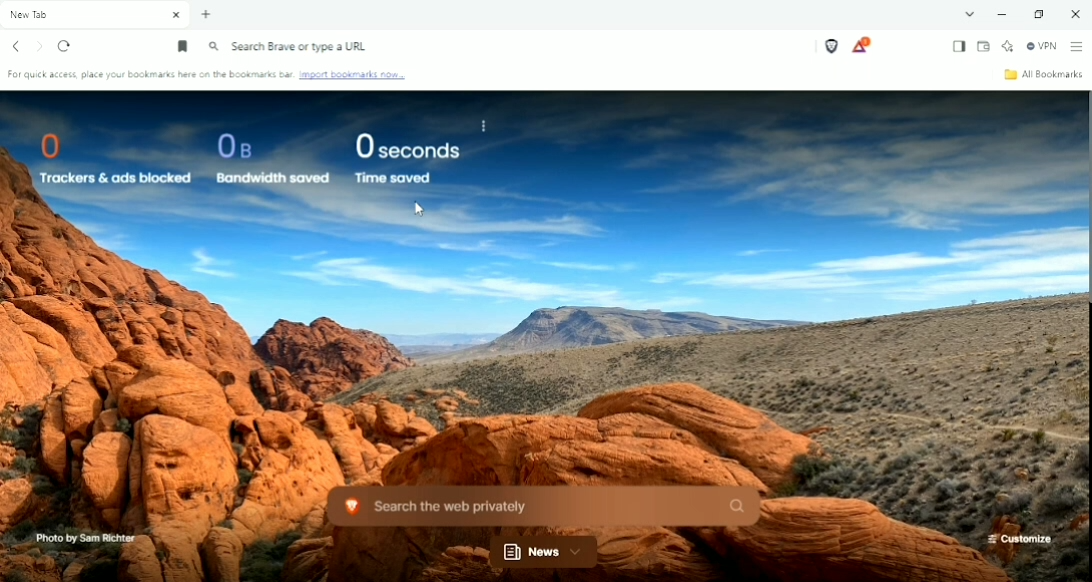 The width and height of the screenshot is (1092, 582). Describe the element at coordinates (17, 46) in the screenshot. I see `Click to go back` at that location.